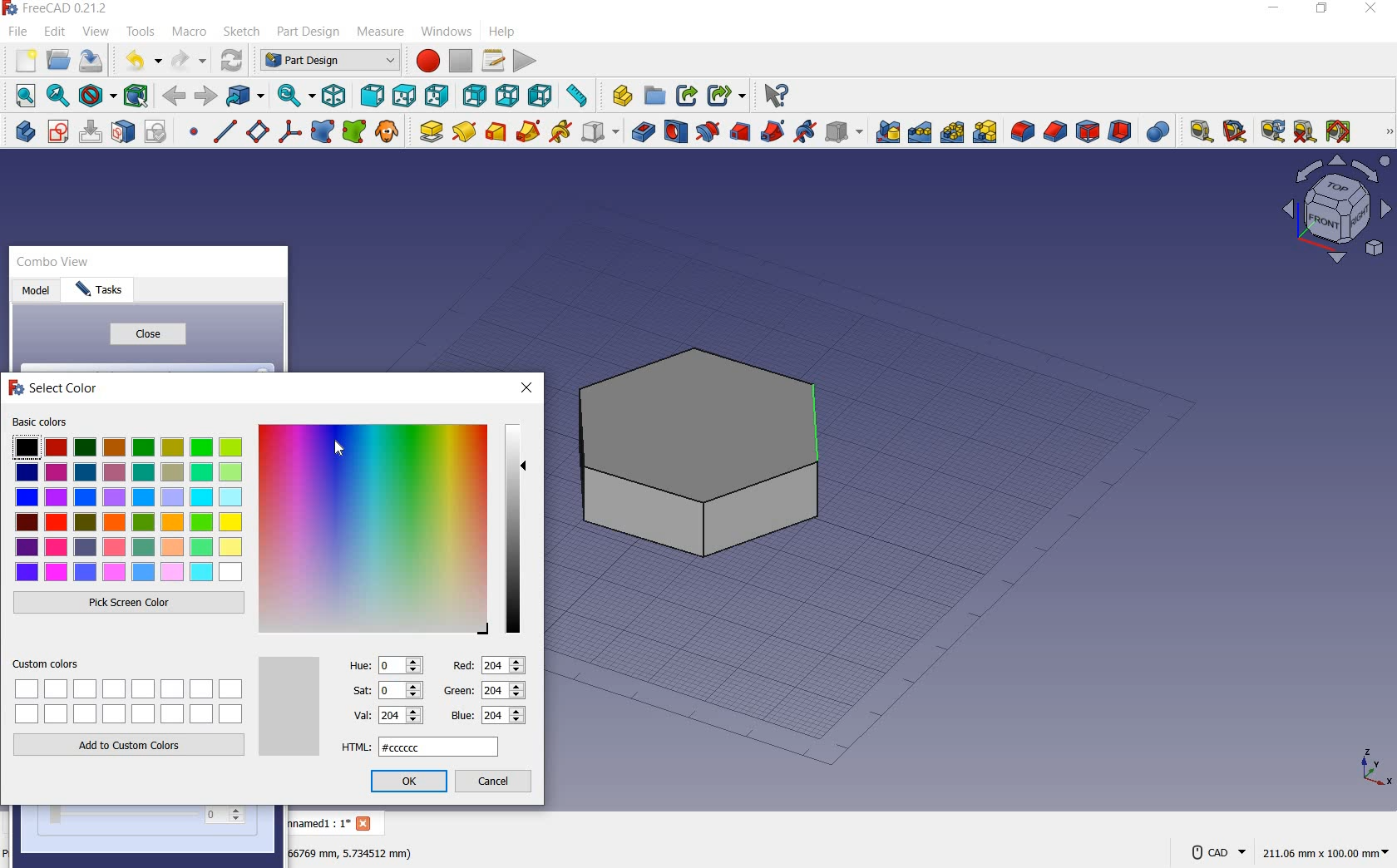 The width and height of the screenshot is (1397, 868). Describe the element at coordinates (1272, 131) in the screenshot. I see `refresh` at that location.